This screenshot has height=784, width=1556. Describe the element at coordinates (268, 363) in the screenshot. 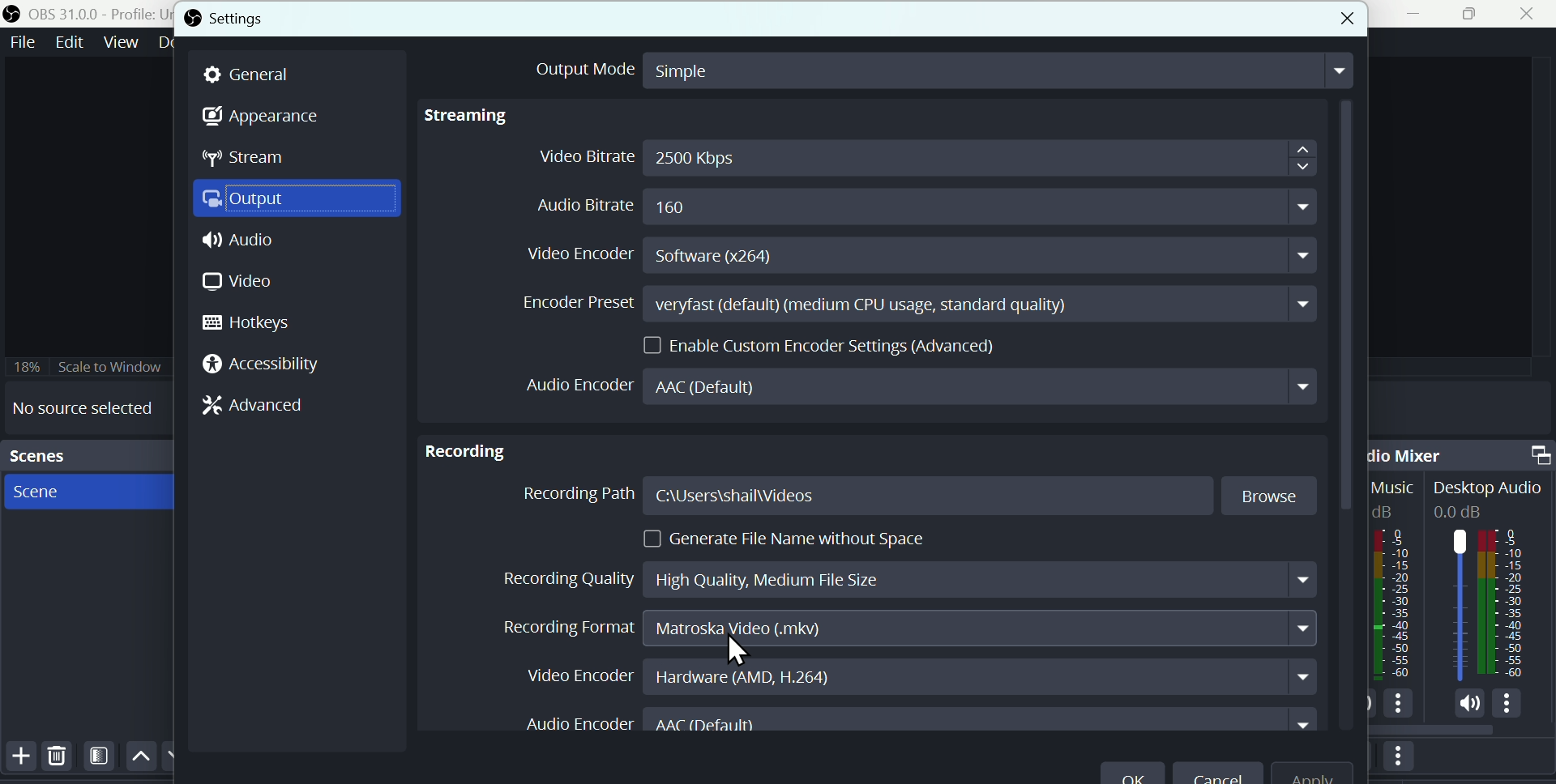

I see `Accessibility` at that location.